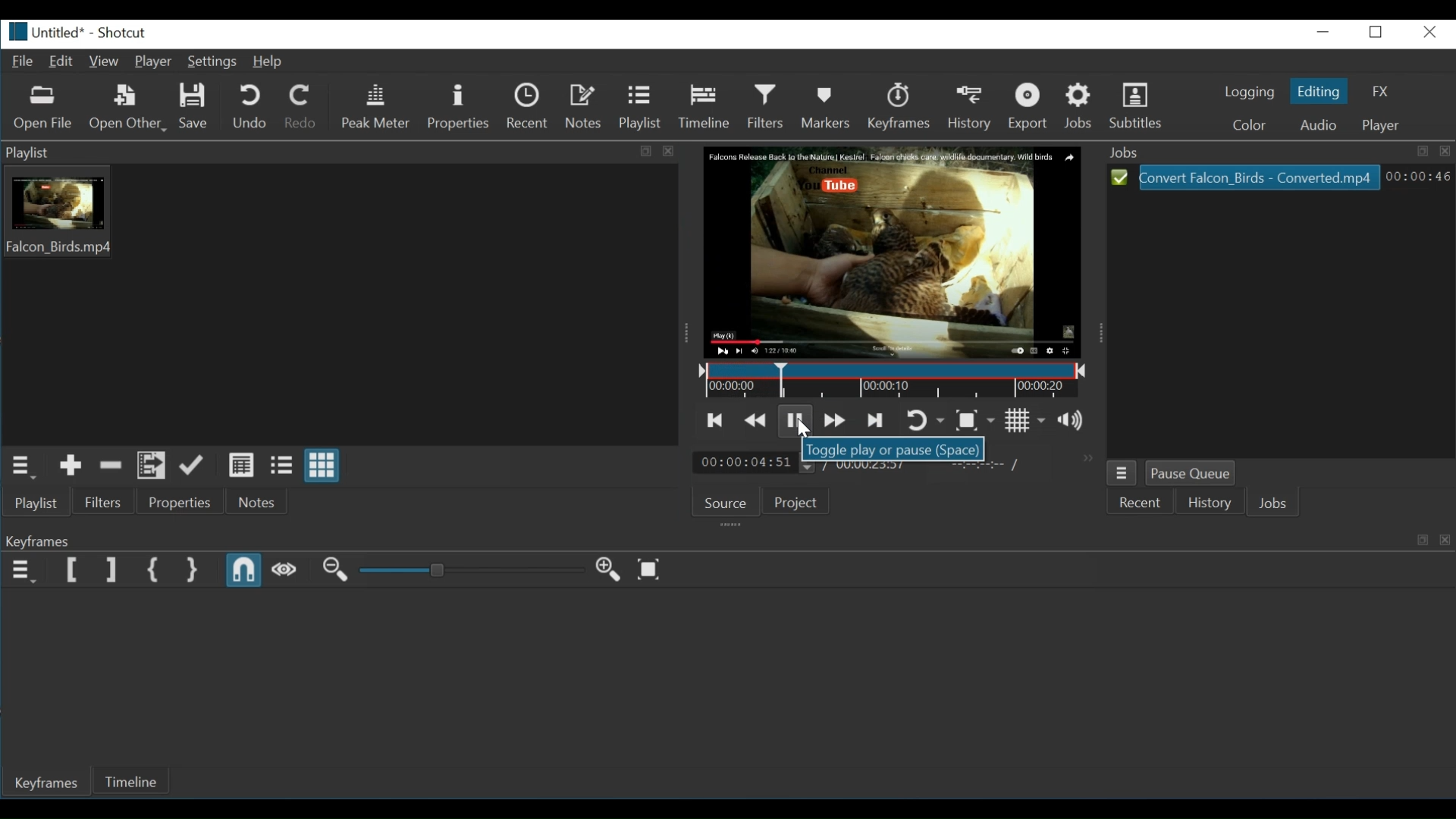 The height and width of the screenshot is (819, 1456). What do you see at coordinates (1028, 106) in the screenshot?
I see `Export` at bounding box center [1028, 106].